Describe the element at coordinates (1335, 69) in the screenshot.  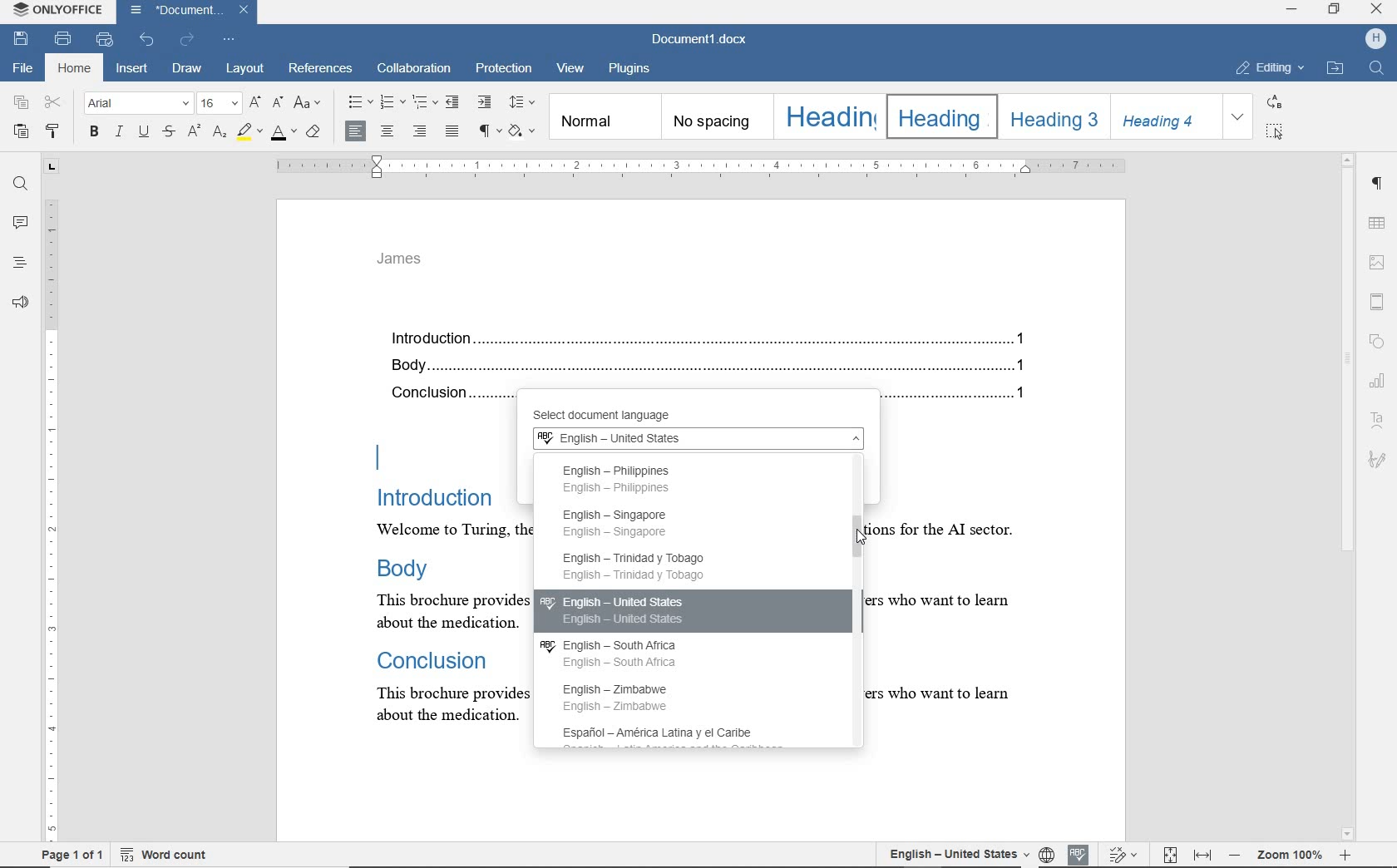
I see `OPEN FILE LOCATION` at that location.